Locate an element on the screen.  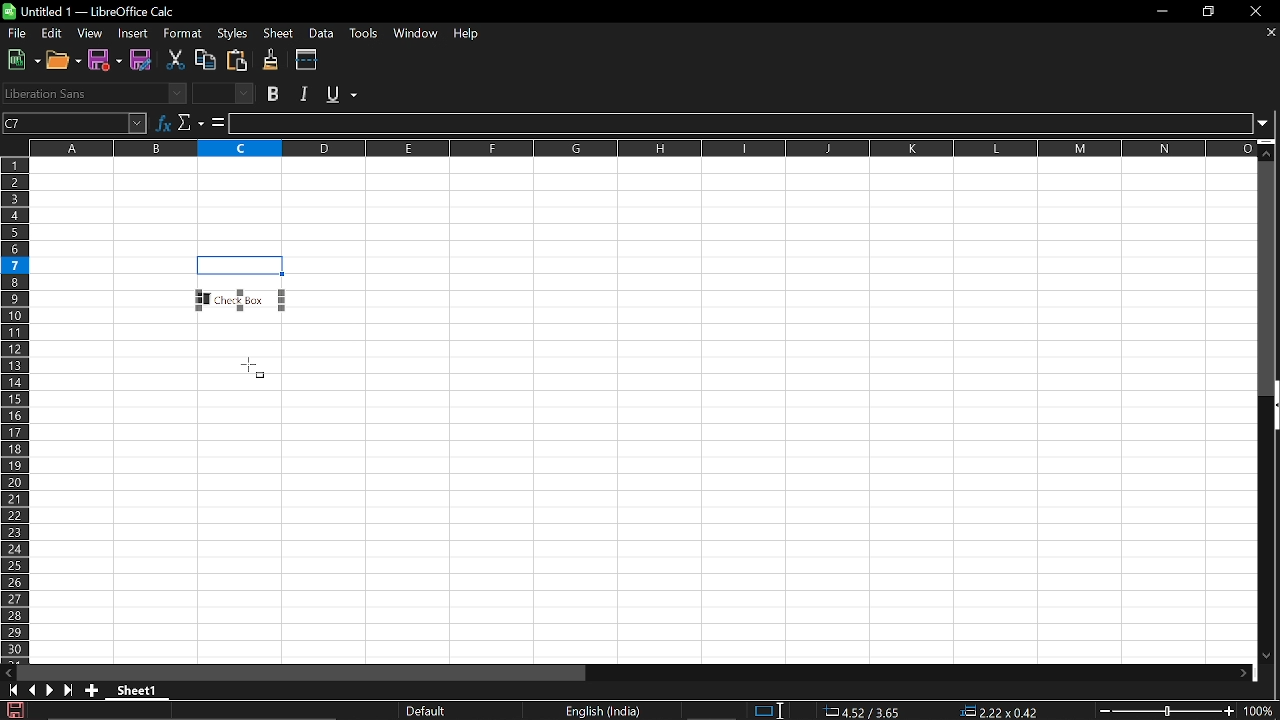
Previous sheet is located at coordinates (31, 690).